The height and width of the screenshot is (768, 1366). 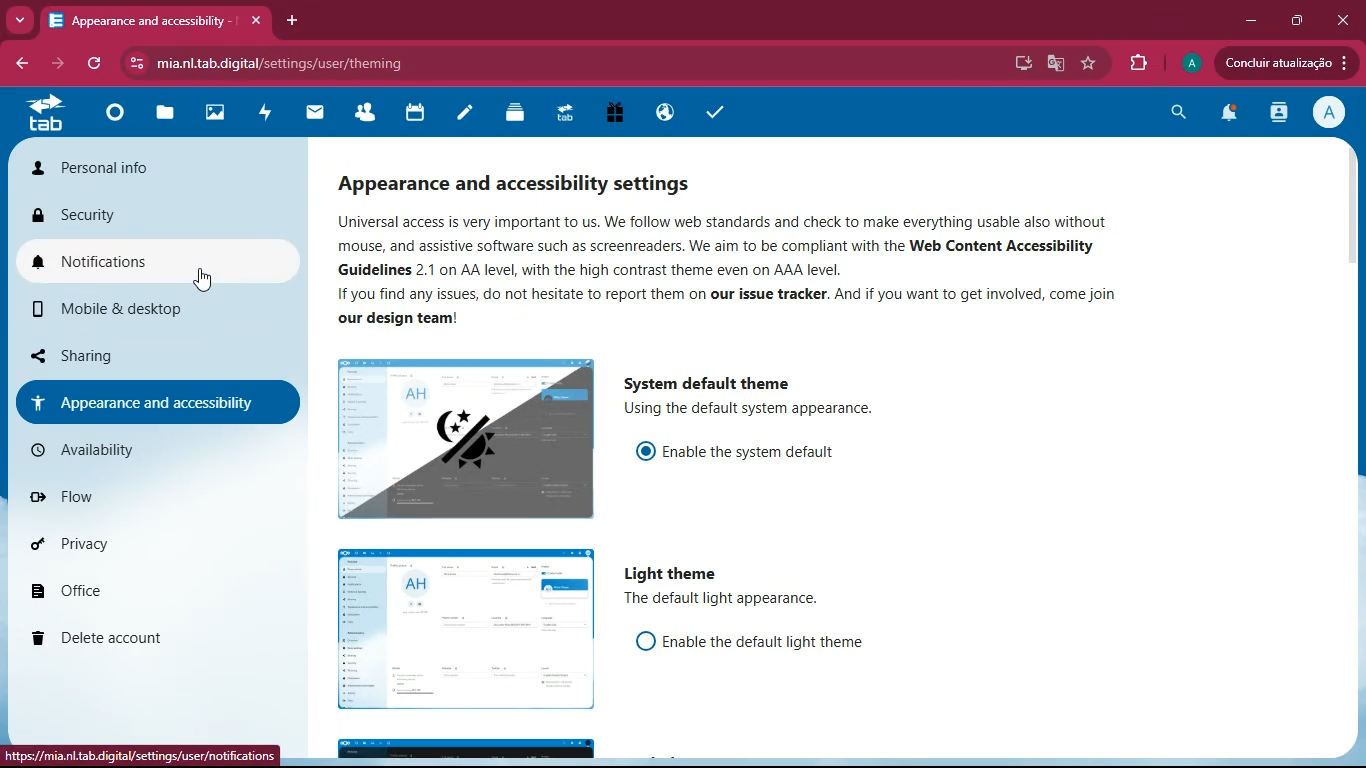 What do you see at coordinates (147, 448) in the screenshot?
I see `availability` at bounding box center [147, 448].